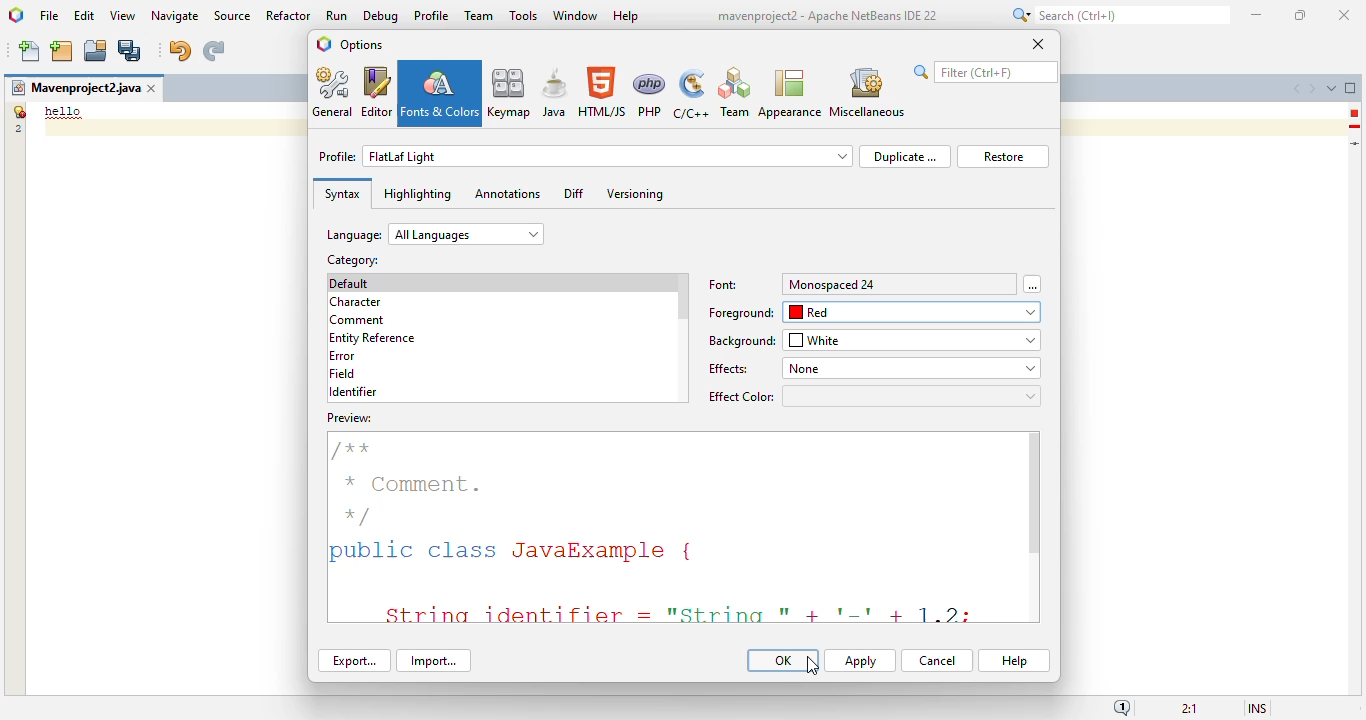  What do you see at coordinates (342, 194) in the screenshot?
I see `syntax` at bounding box center [342, 194].